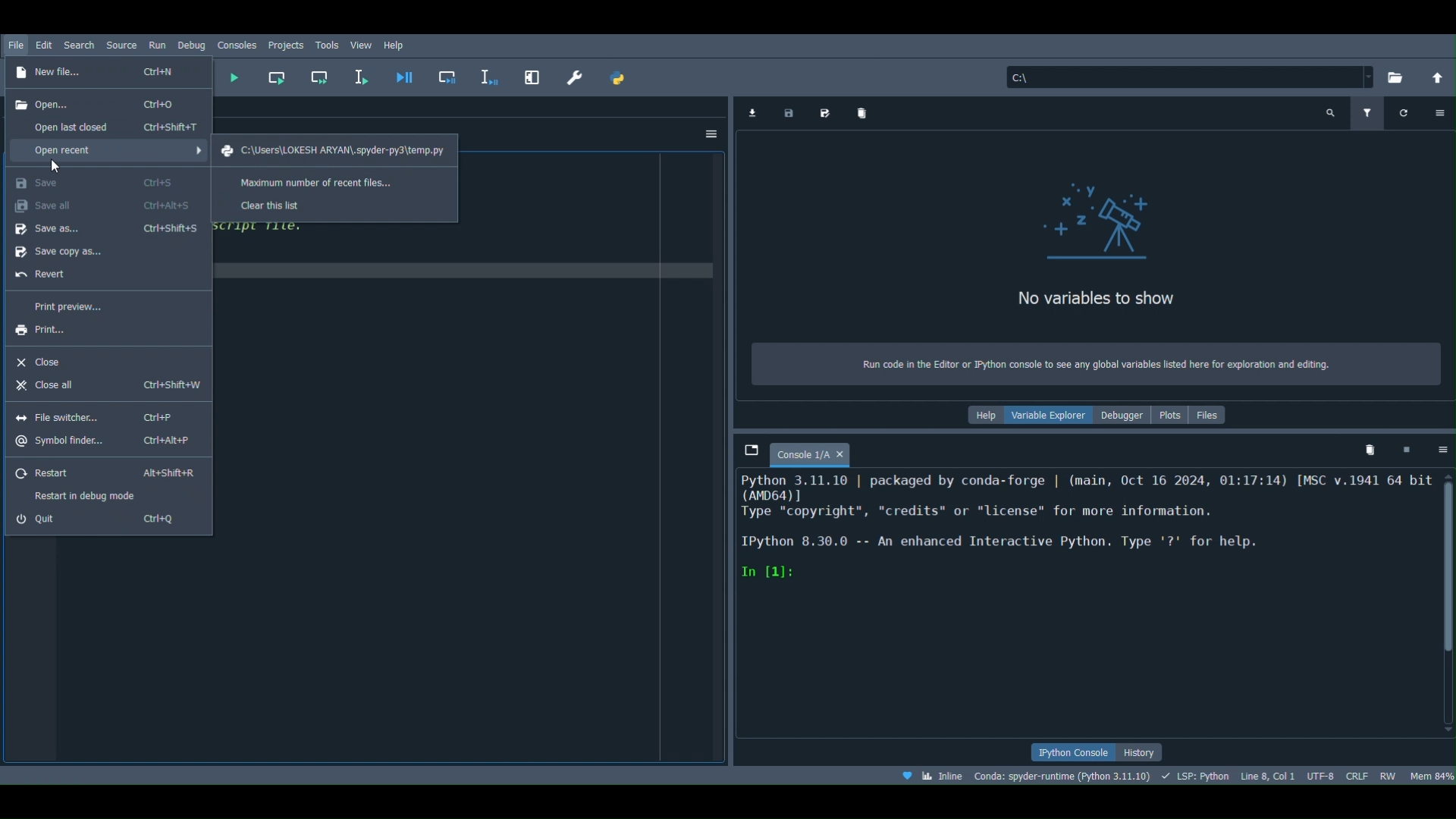 This screenshot has width=1456, height=819. I want to click on Print, so click(90, 333).